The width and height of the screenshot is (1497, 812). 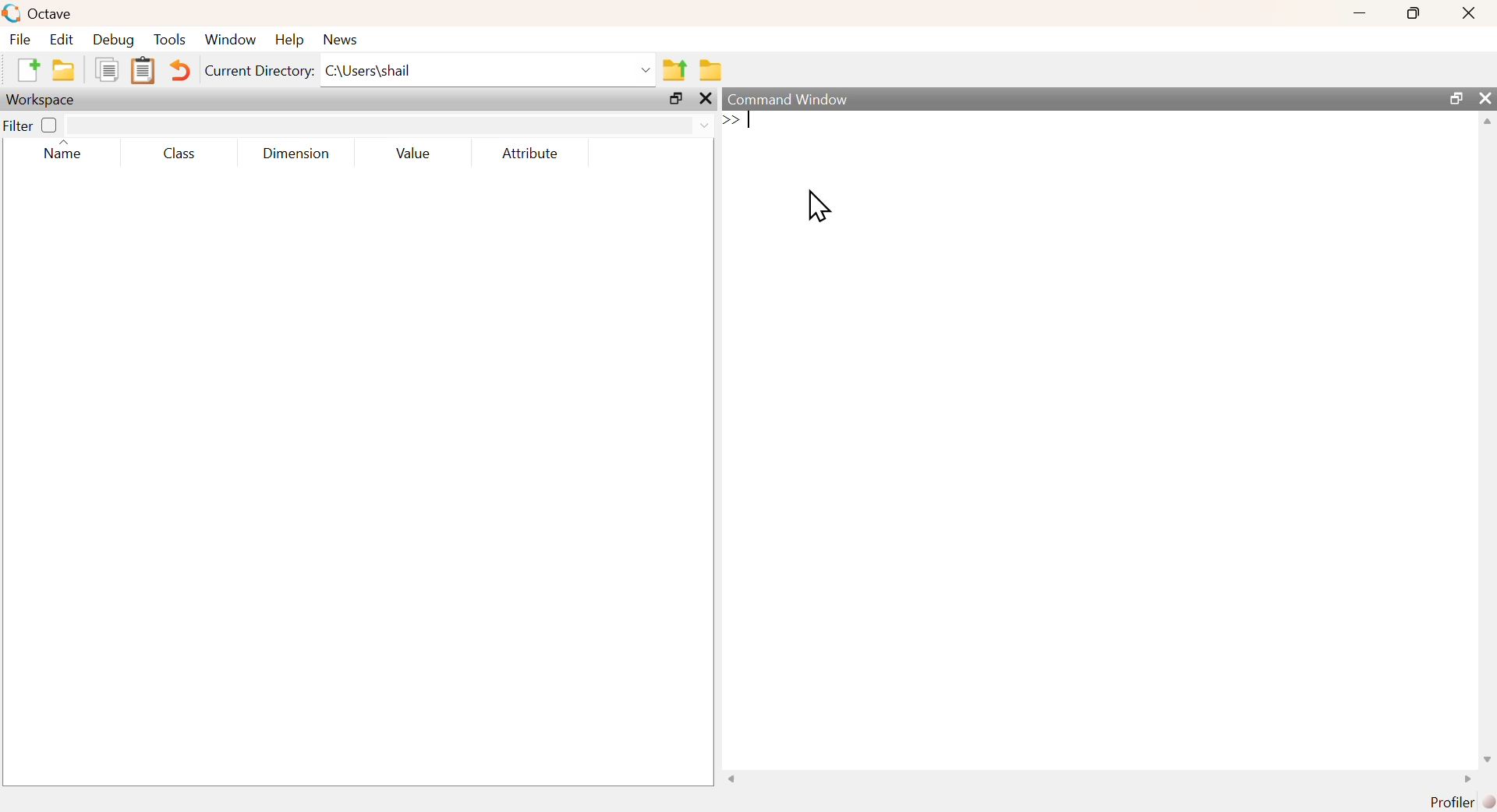 What do you see at coordinates (65, 70) in the screenshot?
I see `New folder` at bounding box center [65, 70].